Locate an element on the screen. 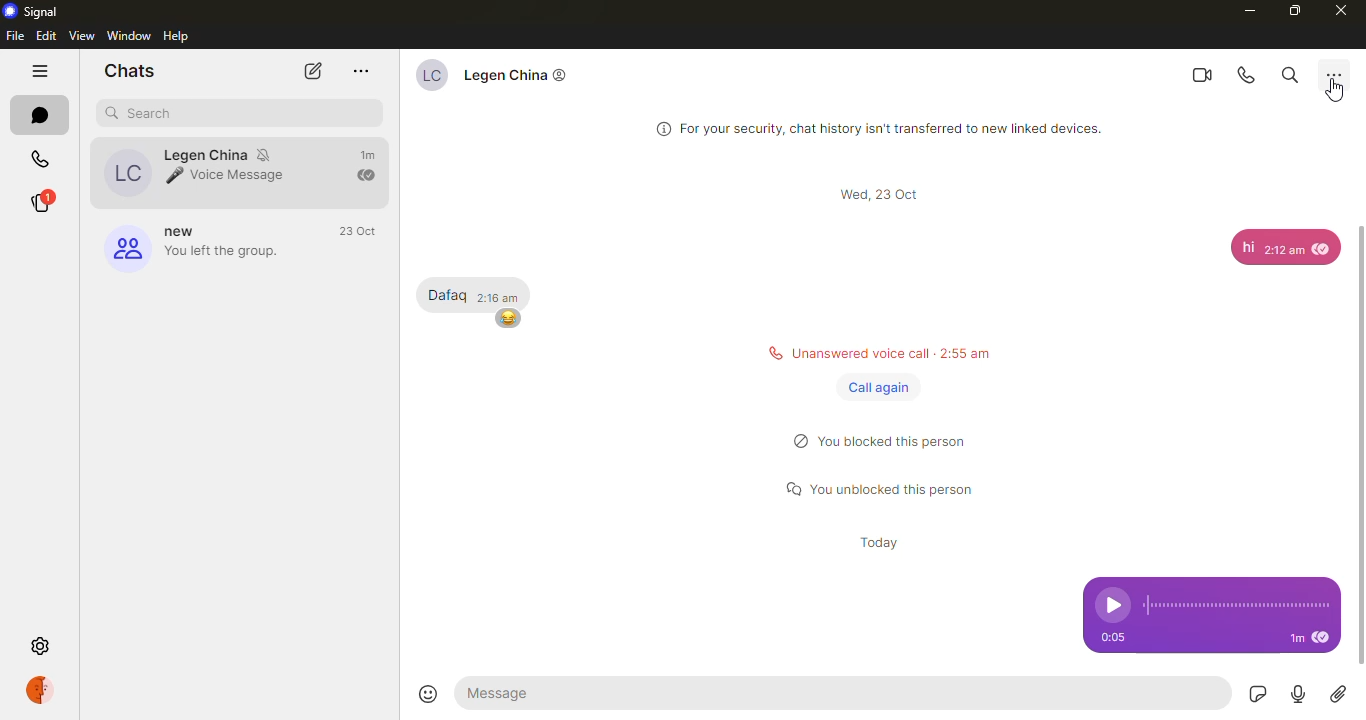 The image size is (1366, 720). emoji is located at coordinates (506, 319).